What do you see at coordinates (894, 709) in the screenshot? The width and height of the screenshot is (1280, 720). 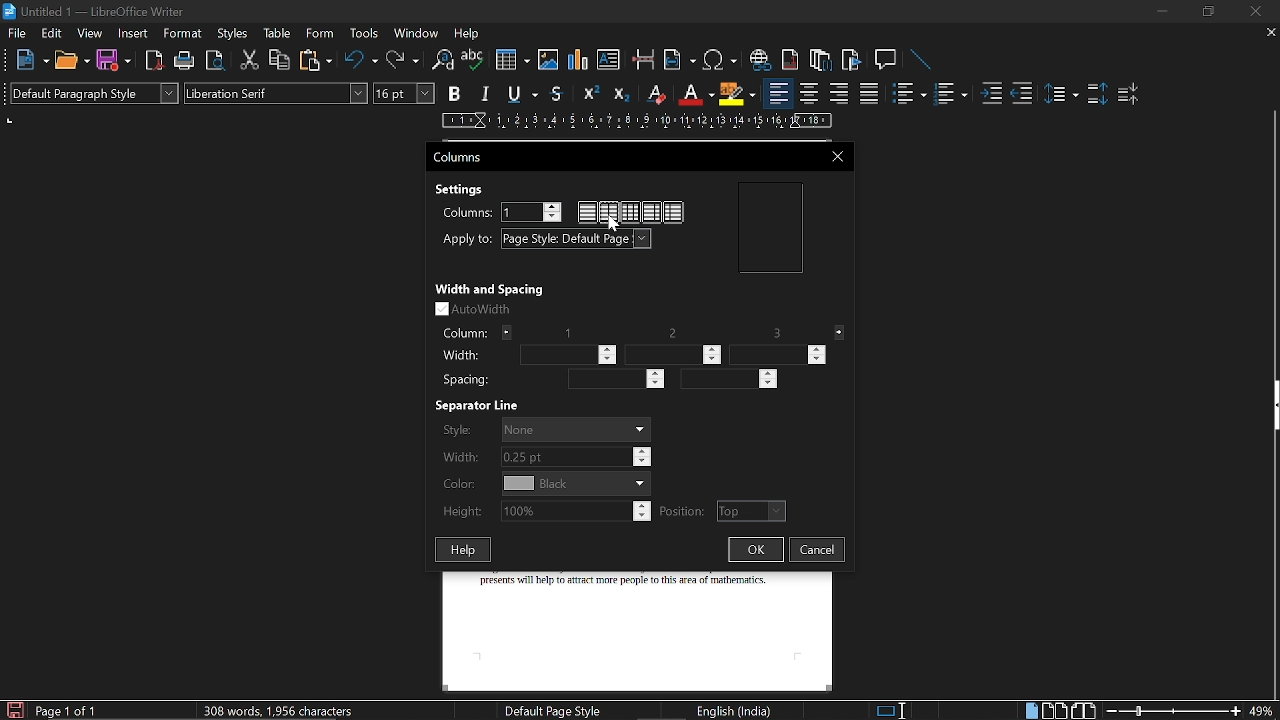 I see `Standard selection` at bounding box center [894, 709].